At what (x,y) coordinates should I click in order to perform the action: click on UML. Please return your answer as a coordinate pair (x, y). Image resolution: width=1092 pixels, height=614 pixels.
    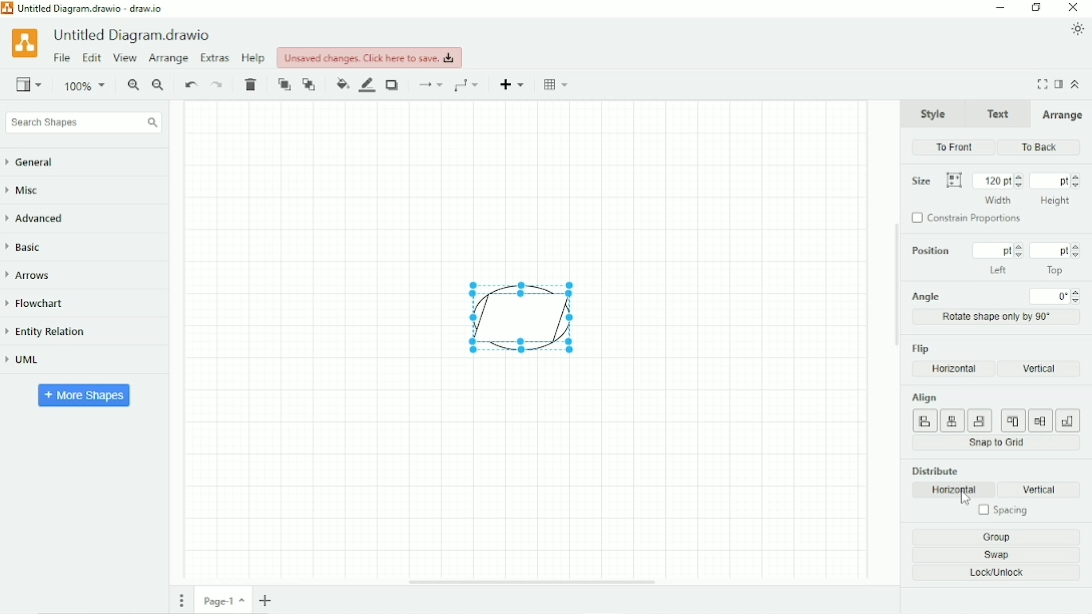
    Looking at the image, I should click on (31, 361).